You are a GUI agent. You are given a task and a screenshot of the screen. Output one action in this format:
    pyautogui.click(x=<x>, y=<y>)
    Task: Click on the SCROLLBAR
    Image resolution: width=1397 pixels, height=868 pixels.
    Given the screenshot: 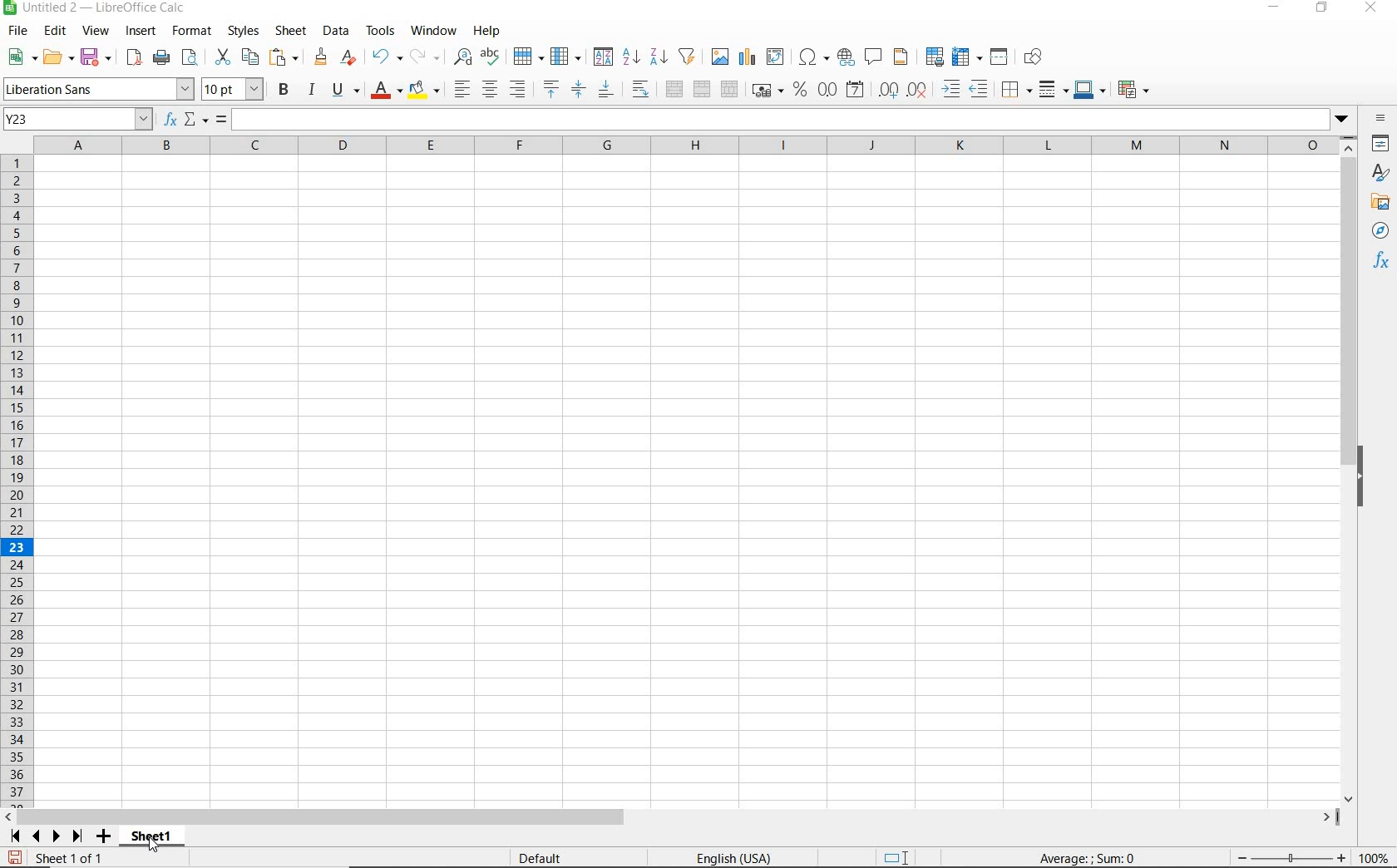 What is the action you would take?
    pyautogui.click(x=1350, y=471)
    